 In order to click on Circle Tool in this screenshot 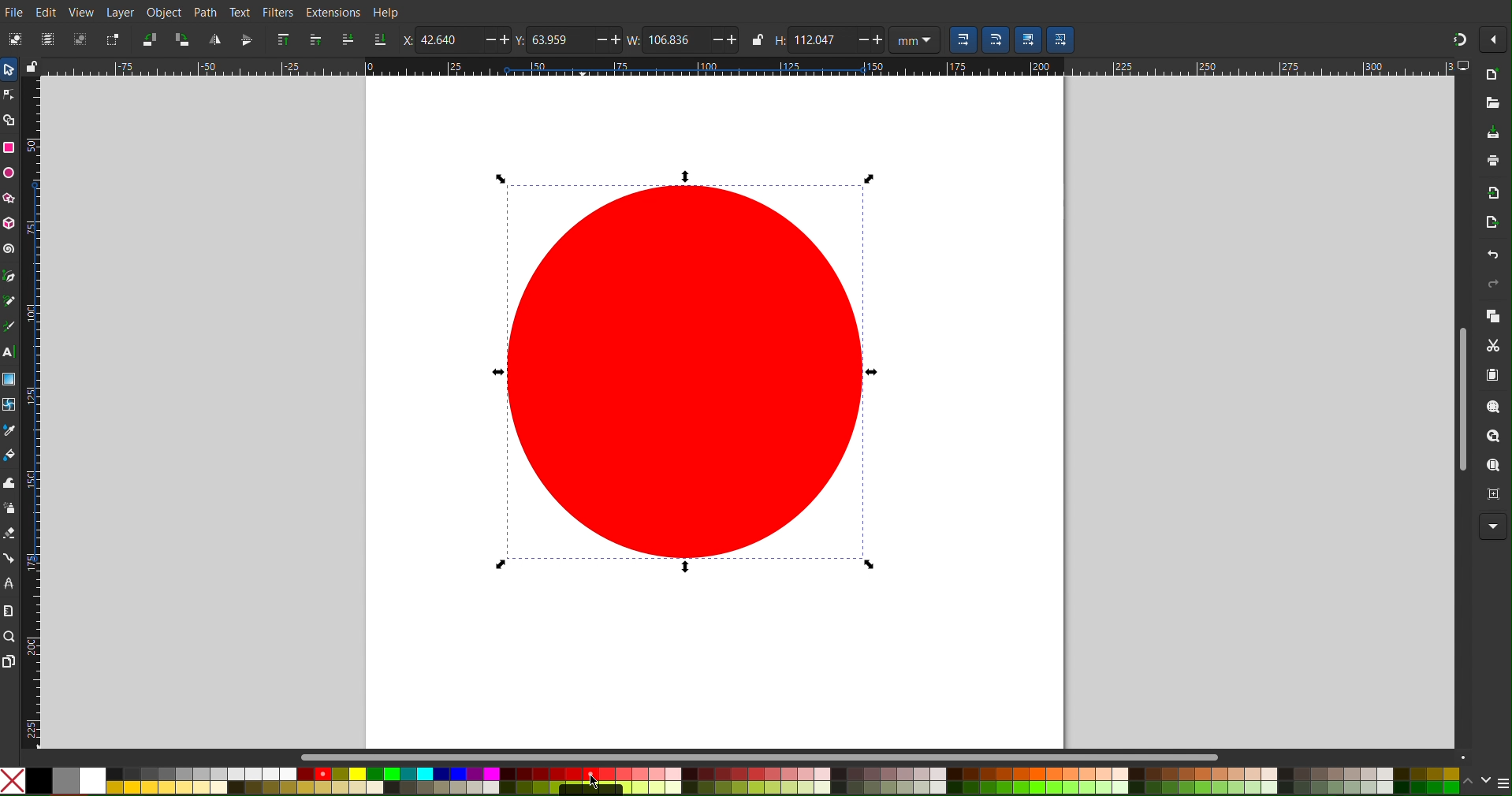, I will do `click(10, 173)`.